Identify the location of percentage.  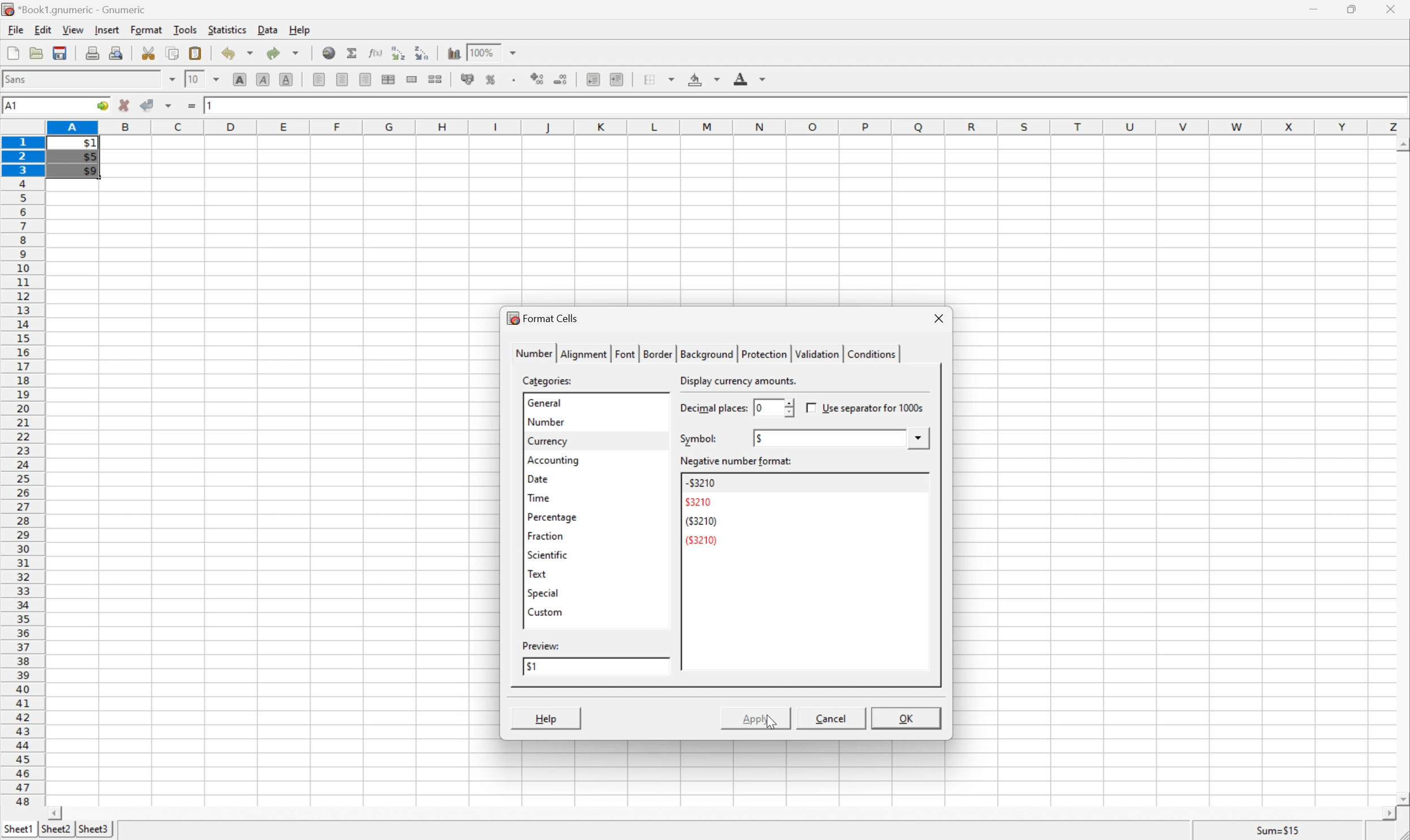
(553, 517).